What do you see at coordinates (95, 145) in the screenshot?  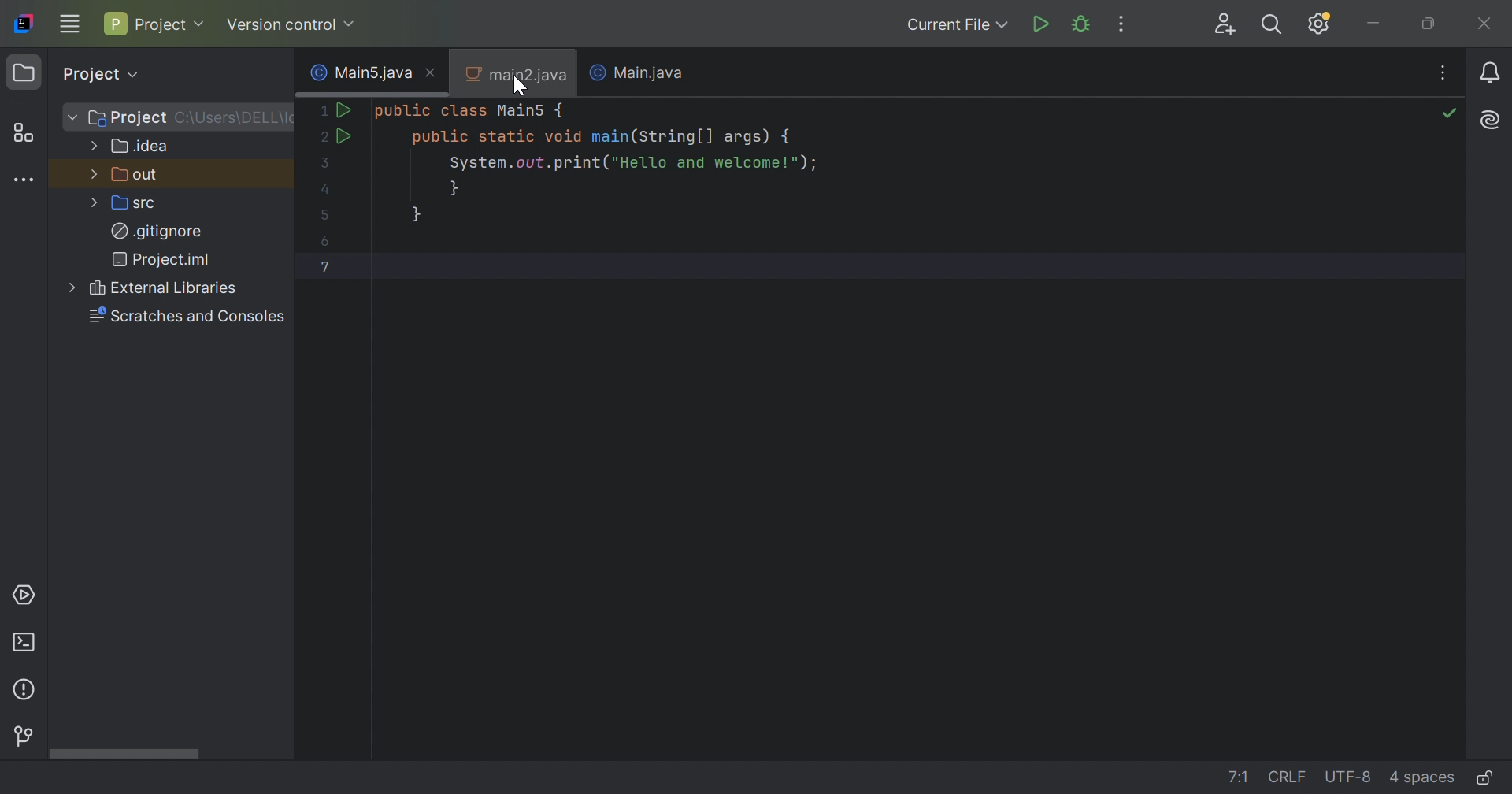 I see `More` at bounding box center [95, 145].